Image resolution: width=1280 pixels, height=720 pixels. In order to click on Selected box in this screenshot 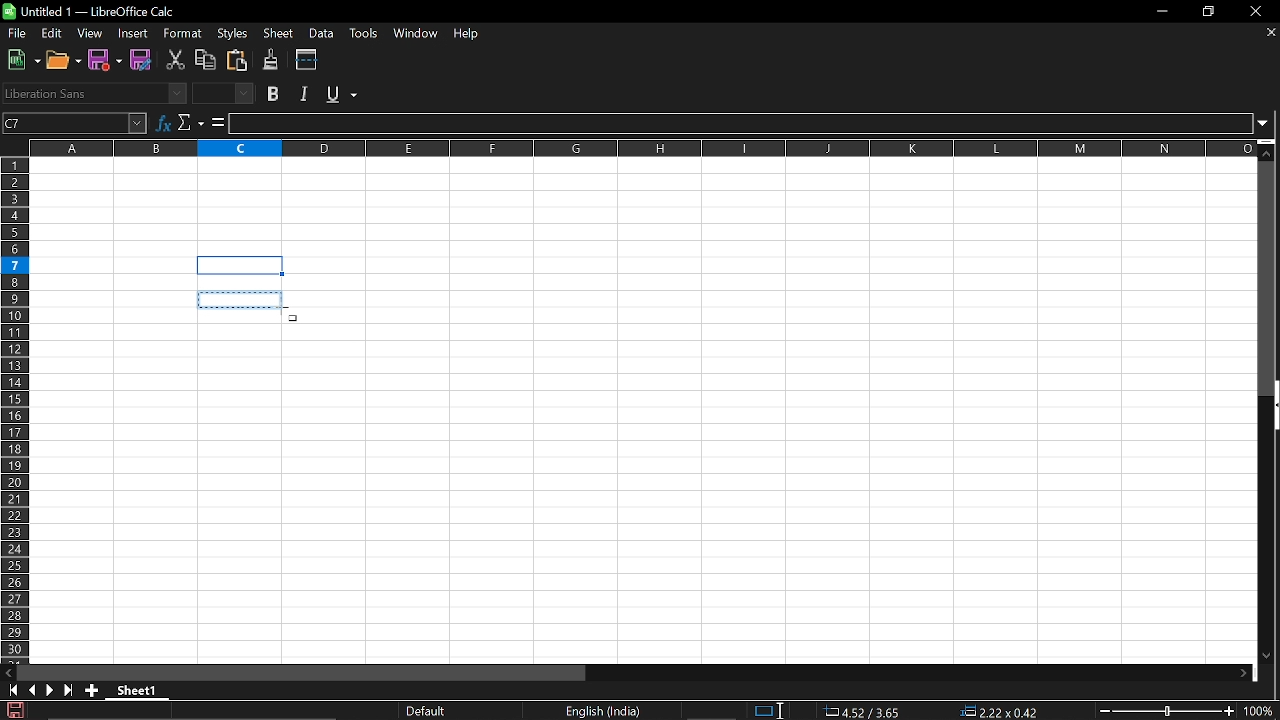, I will do `click(242, 299)`.